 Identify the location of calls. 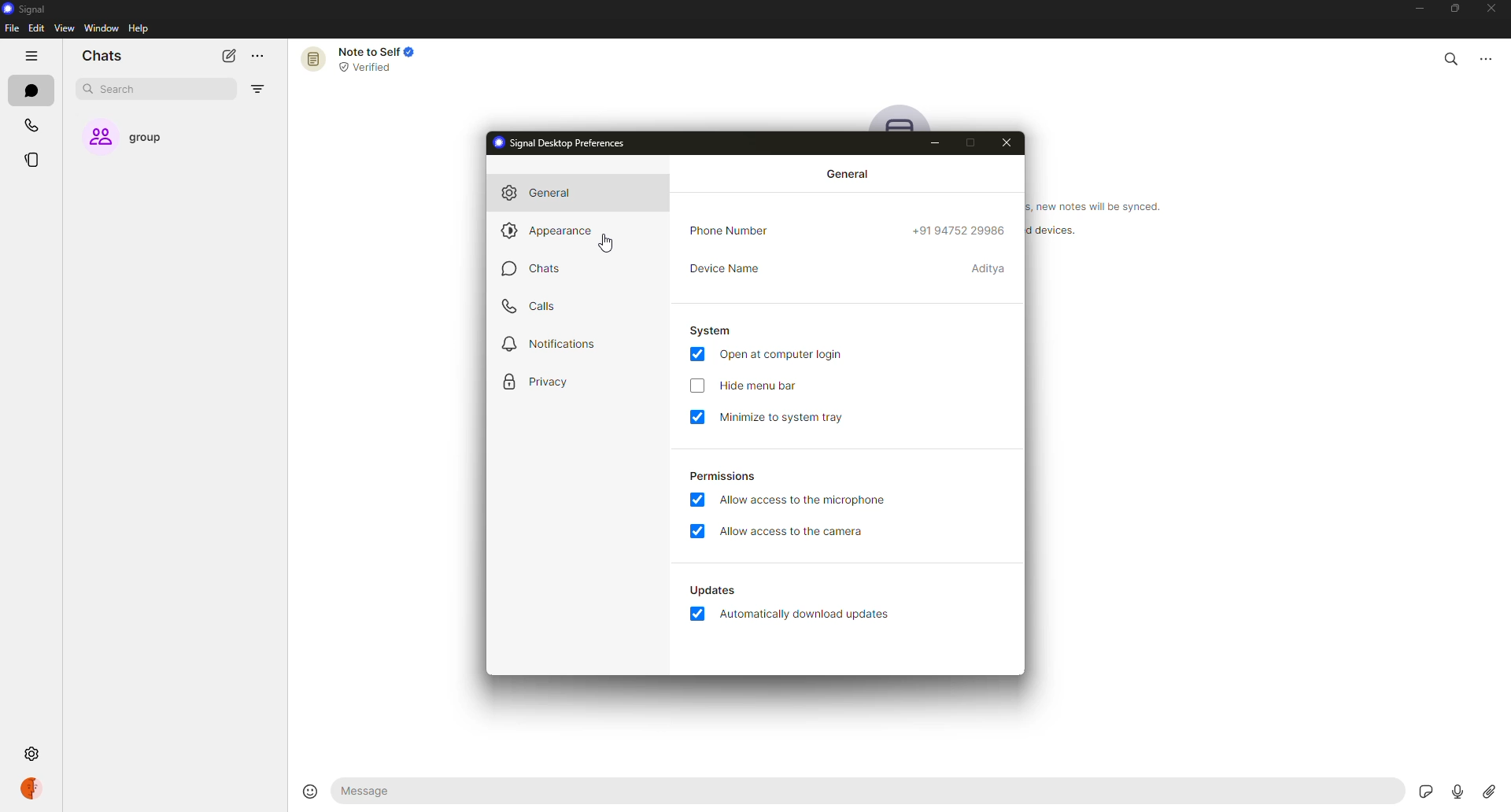
(34, 127).